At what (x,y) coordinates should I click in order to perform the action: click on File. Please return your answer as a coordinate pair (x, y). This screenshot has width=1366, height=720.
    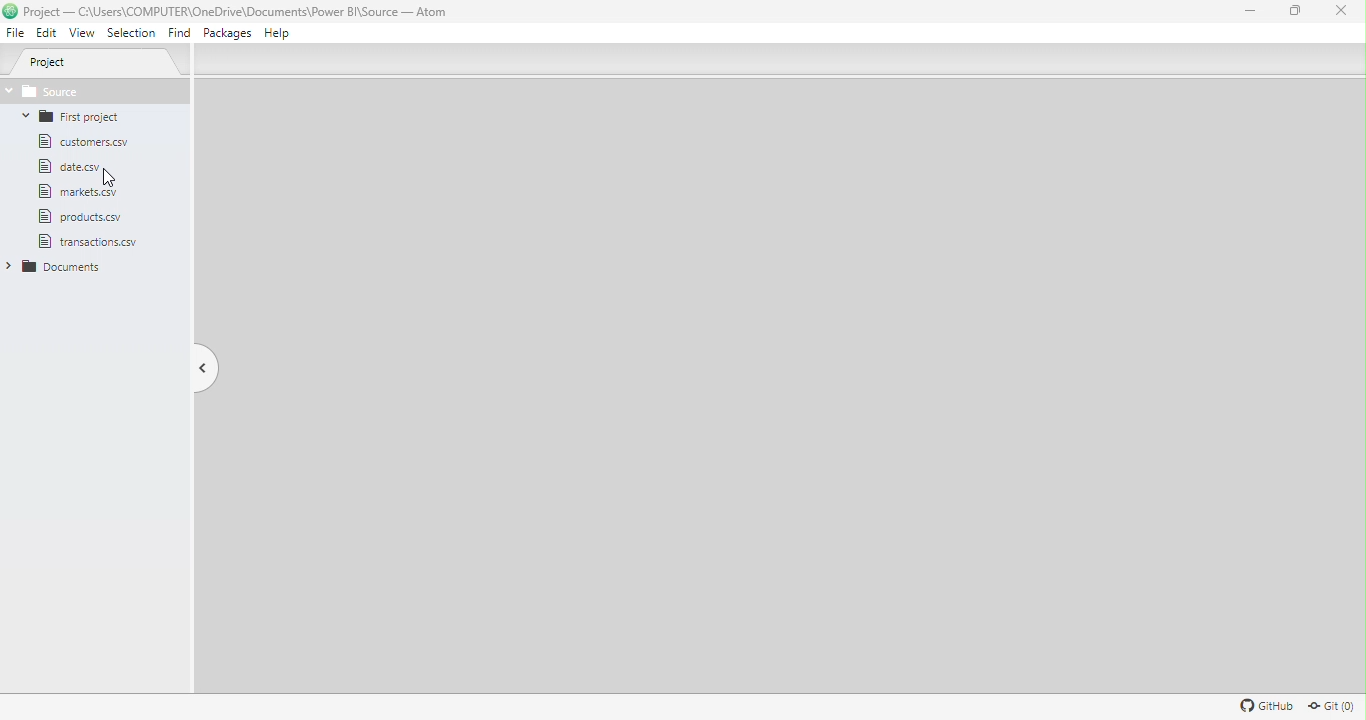
    Looking at the image, I should click on (84, 217).